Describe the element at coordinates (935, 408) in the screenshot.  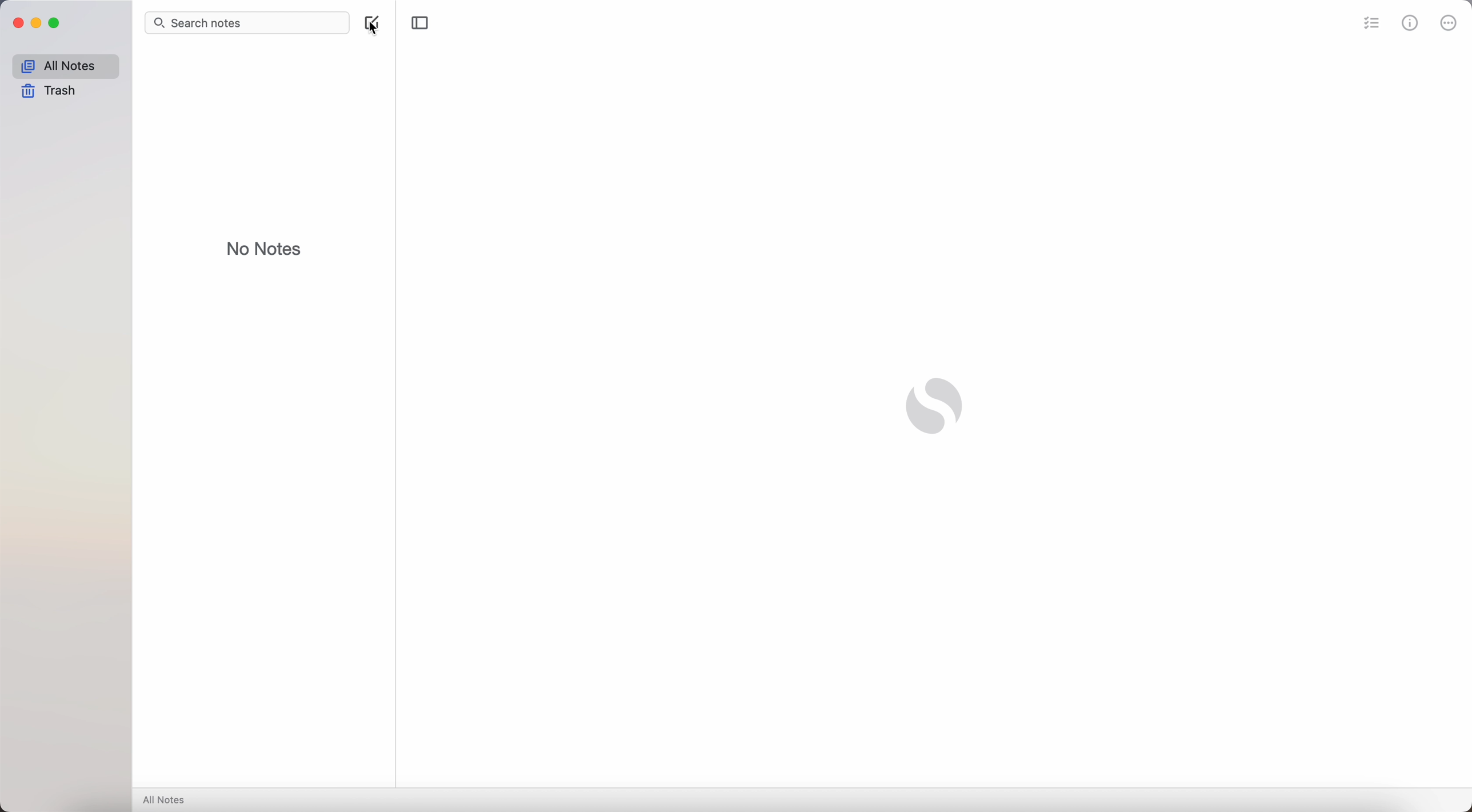
I see `Simplenote logo` at that location.